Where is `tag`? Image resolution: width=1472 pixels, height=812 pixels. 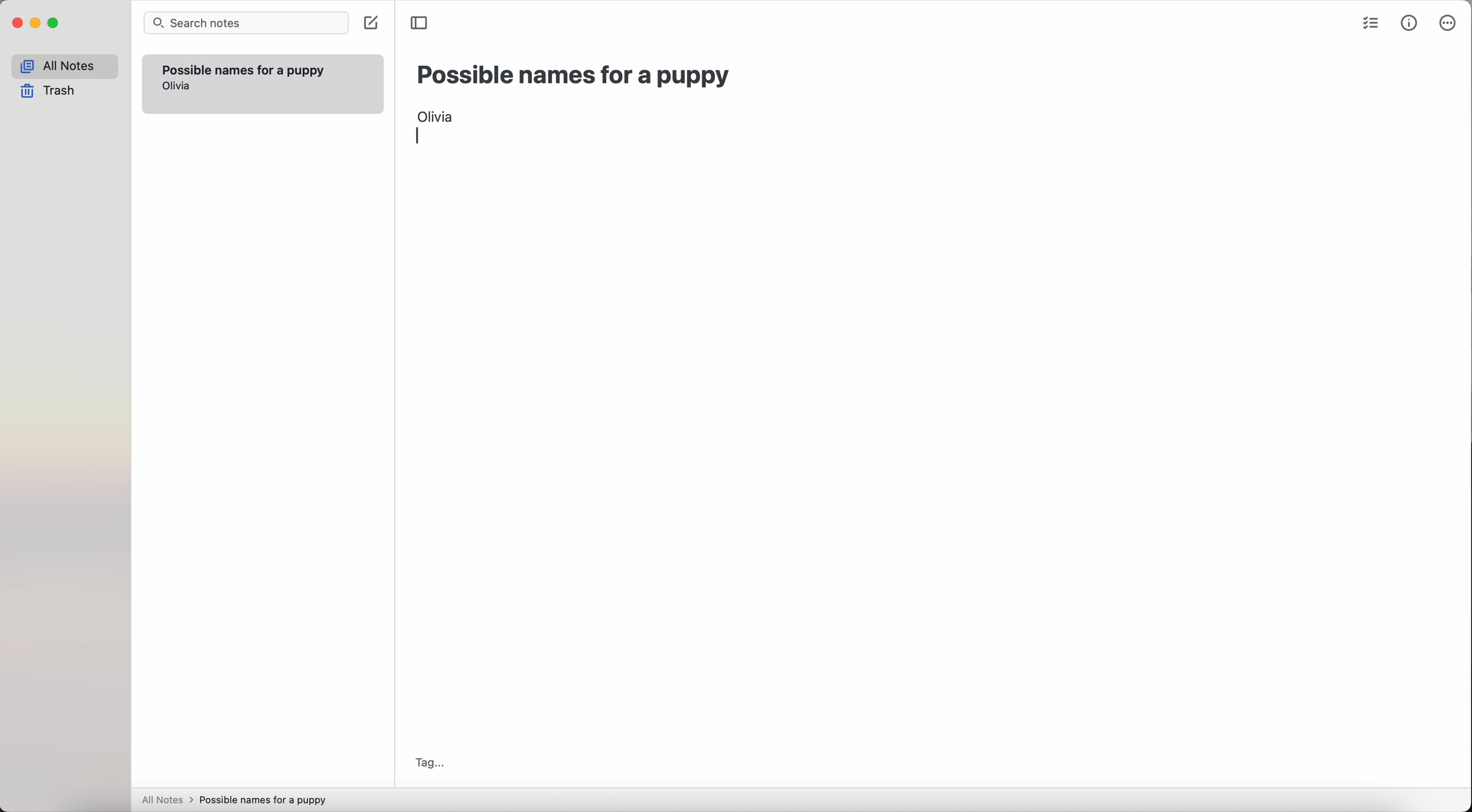 tag is located at coordinates (429, 762).